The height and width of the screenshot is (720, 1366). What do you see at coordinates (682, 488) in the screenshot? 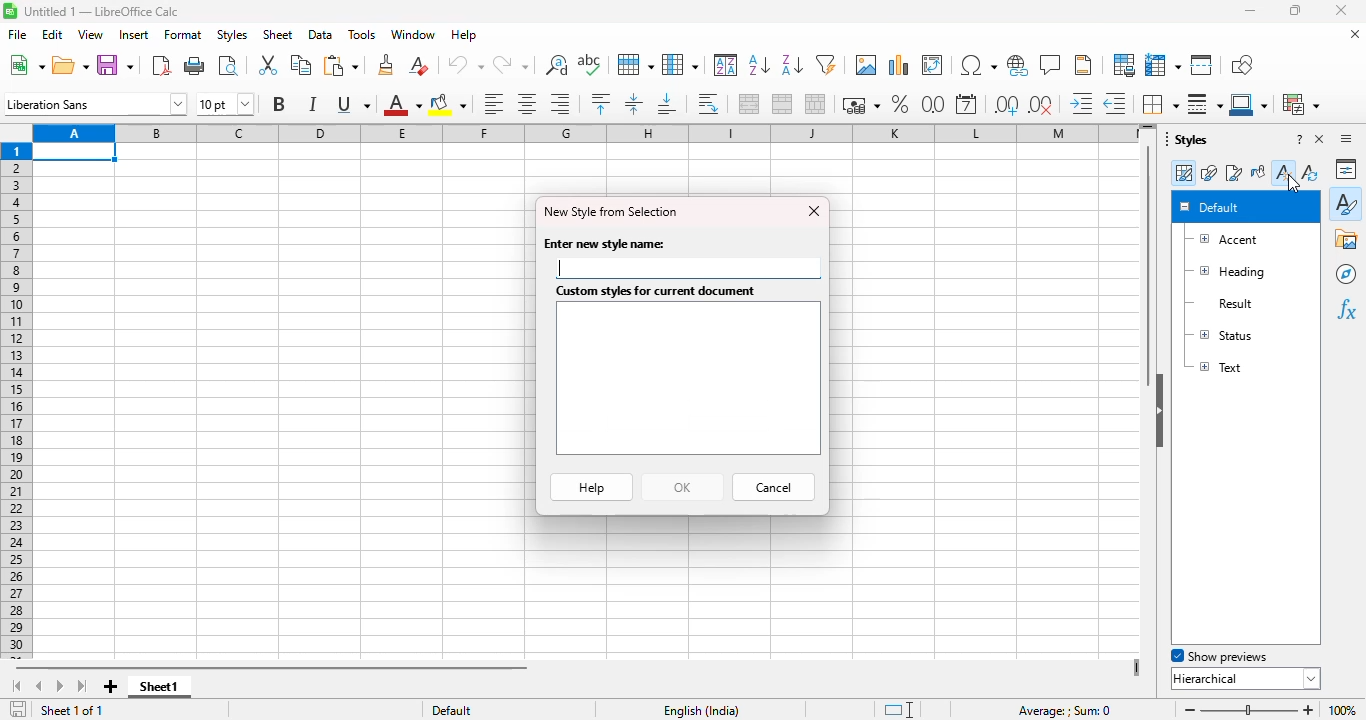
I see `OK` at bounding box center [682, 488].